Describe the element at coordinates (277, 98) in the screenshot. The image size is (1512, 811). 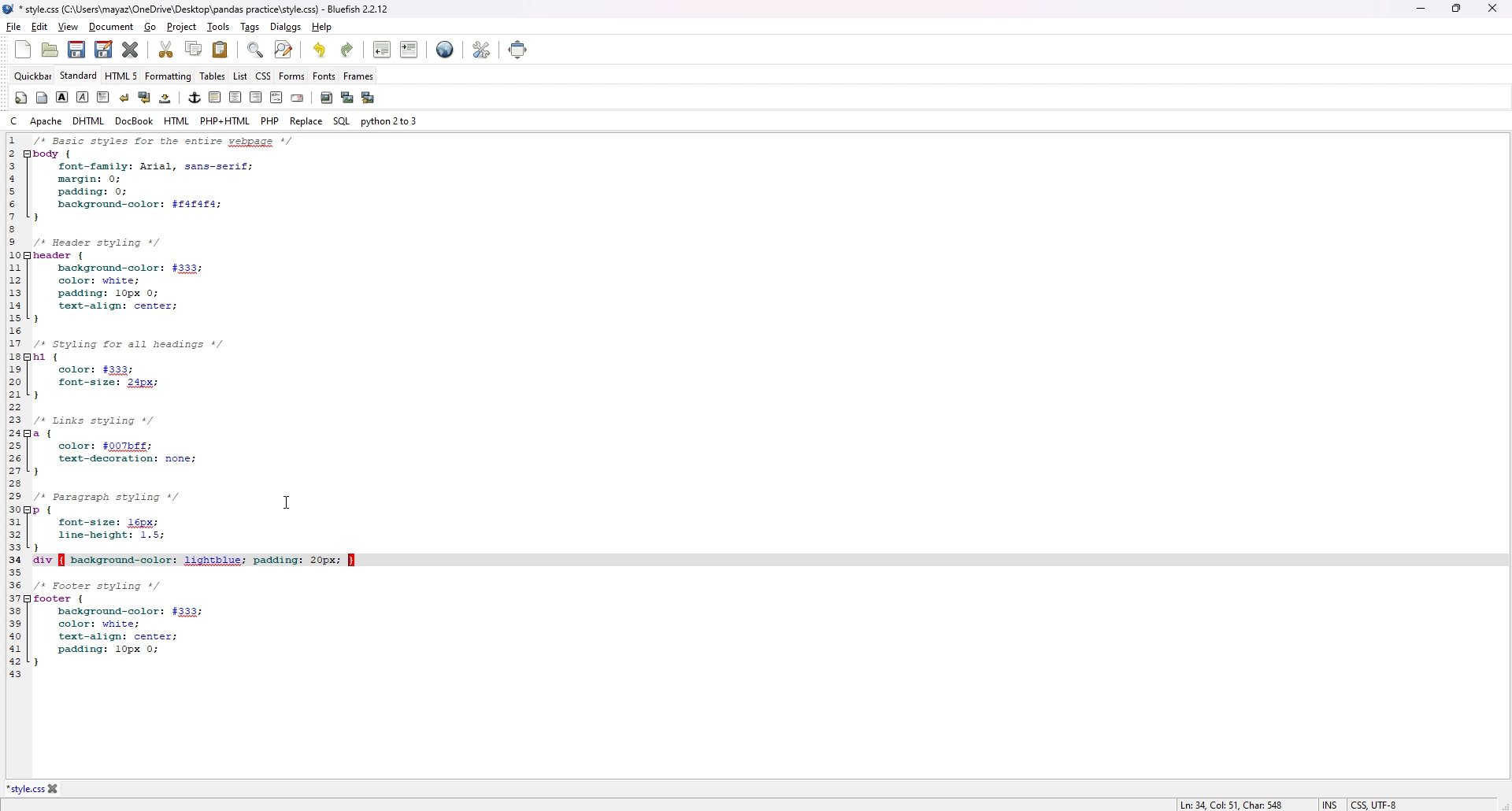
I see `html comment` at that location.